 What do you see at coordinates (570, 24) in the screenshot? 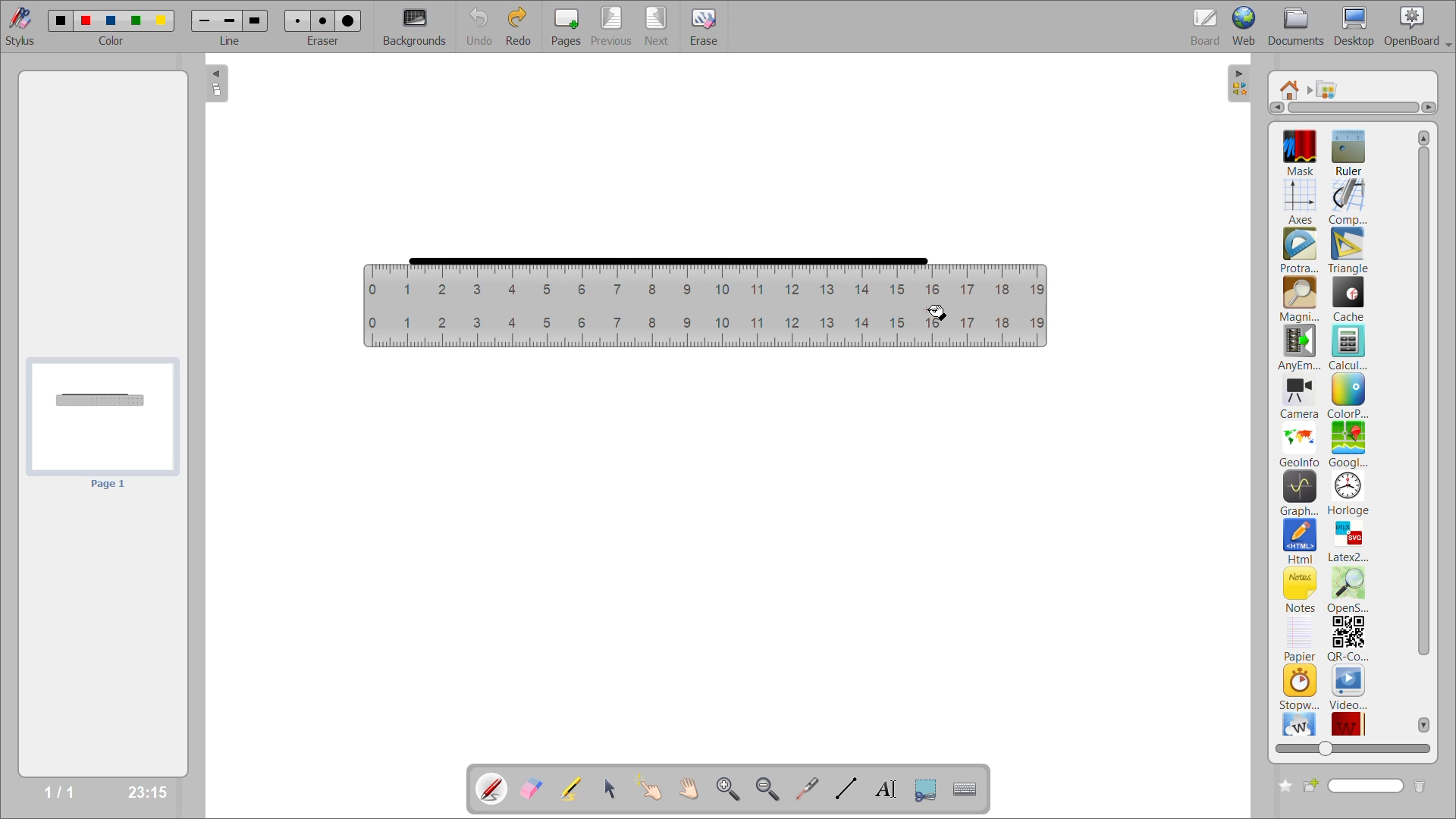
I see `pages` at bounding box center [570, 24].